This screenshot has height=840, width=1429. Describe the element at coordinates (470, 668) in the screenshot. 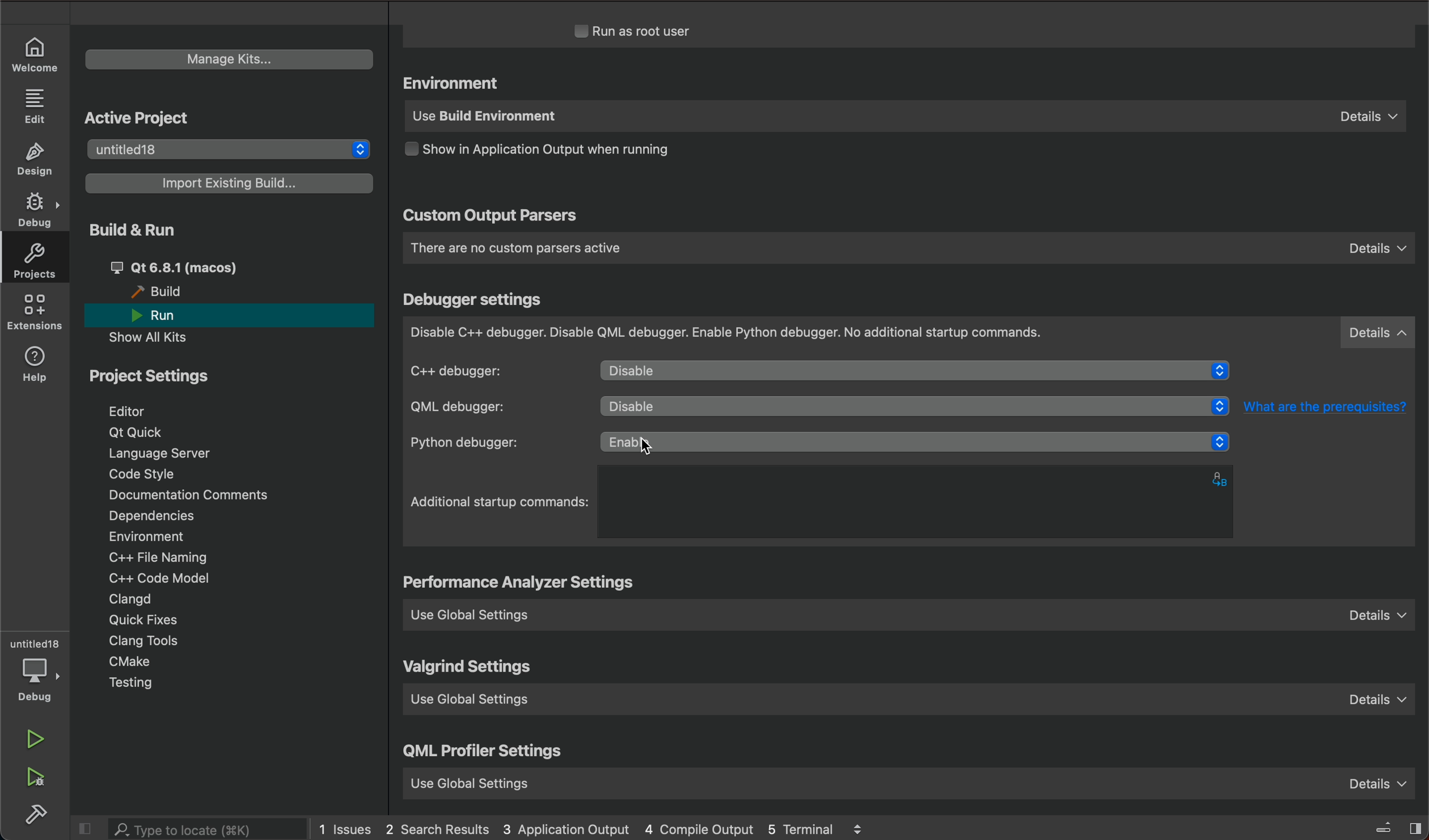

I see `valgrind` at that location.